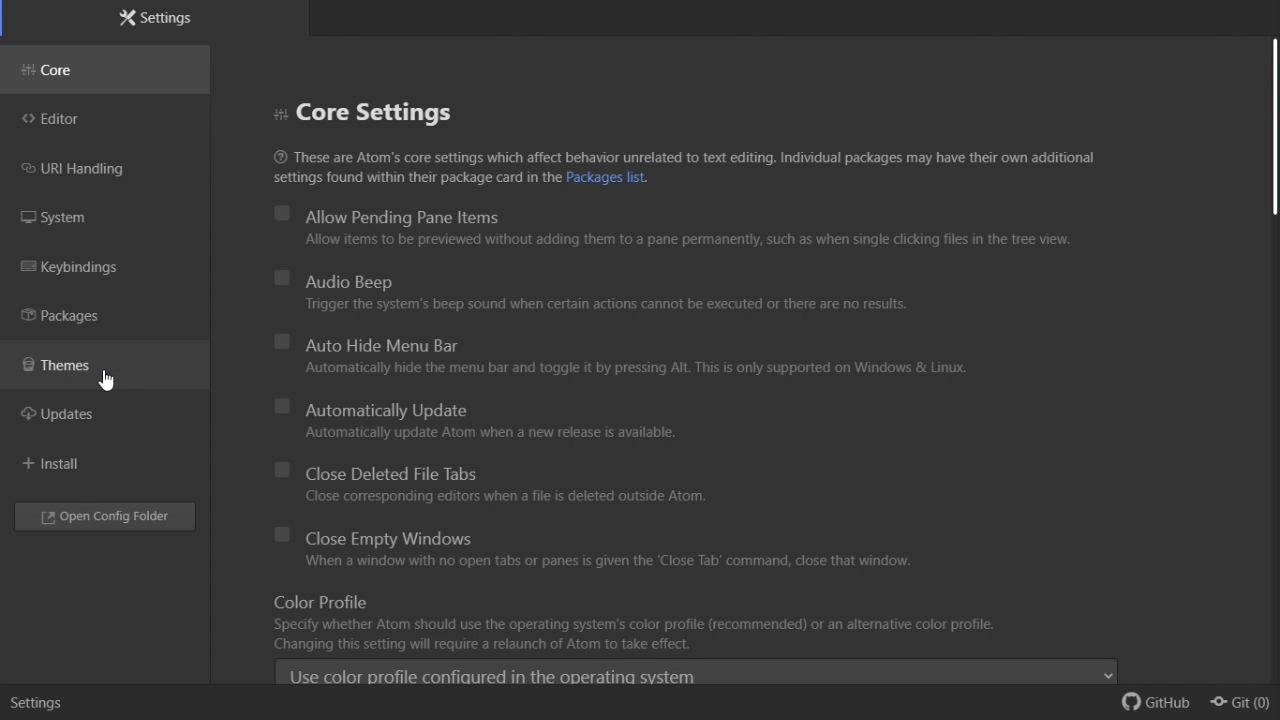 This screenshot has width=1280, height=720. What do you see at coordinates (668, 230) in the screenshot?
I see `Allow pending Pane items` at bounding box center [668, 230].